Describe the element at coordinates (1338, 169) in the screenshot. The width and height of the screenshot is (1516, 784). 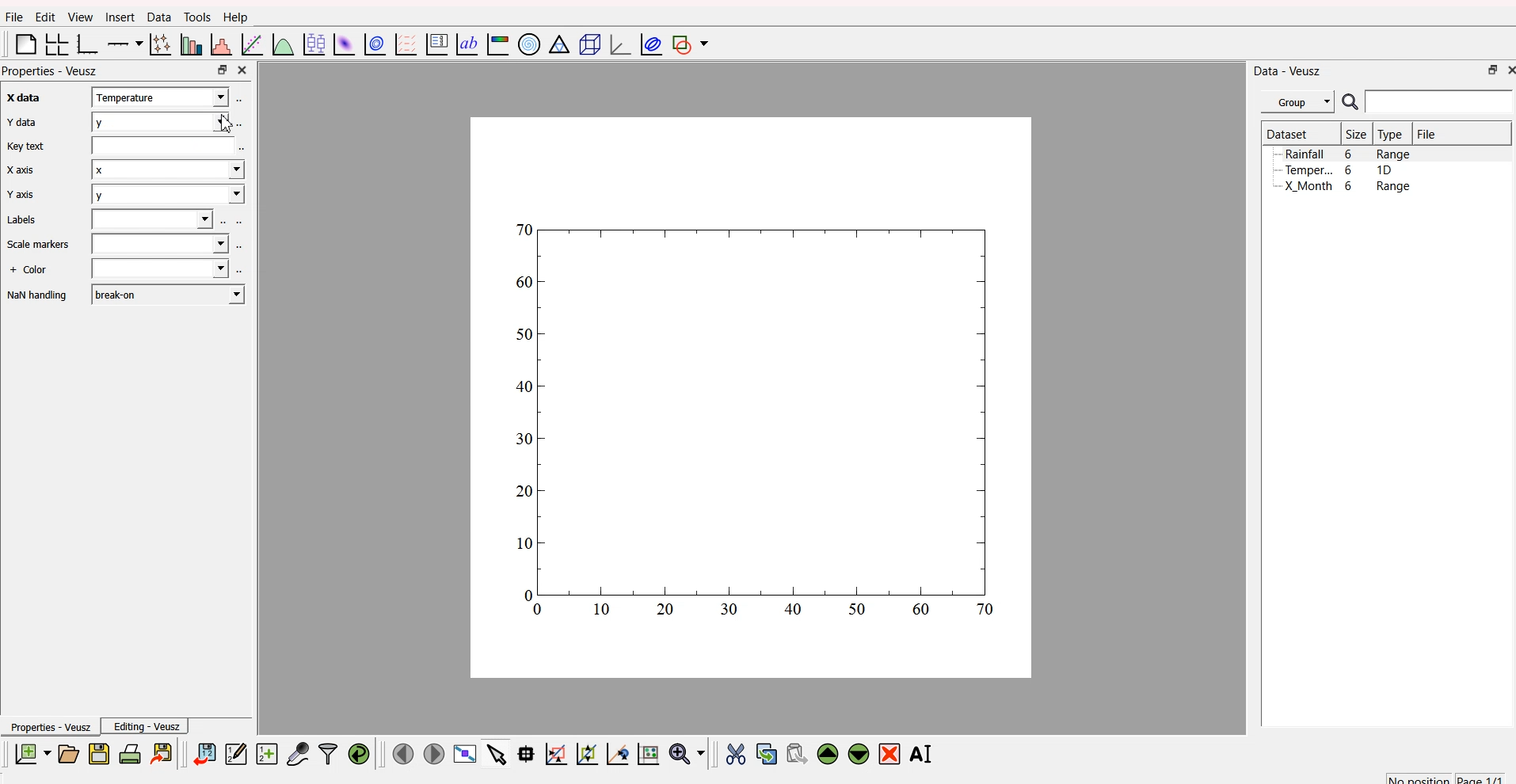
I see `Temper... 6 1D` at that location.